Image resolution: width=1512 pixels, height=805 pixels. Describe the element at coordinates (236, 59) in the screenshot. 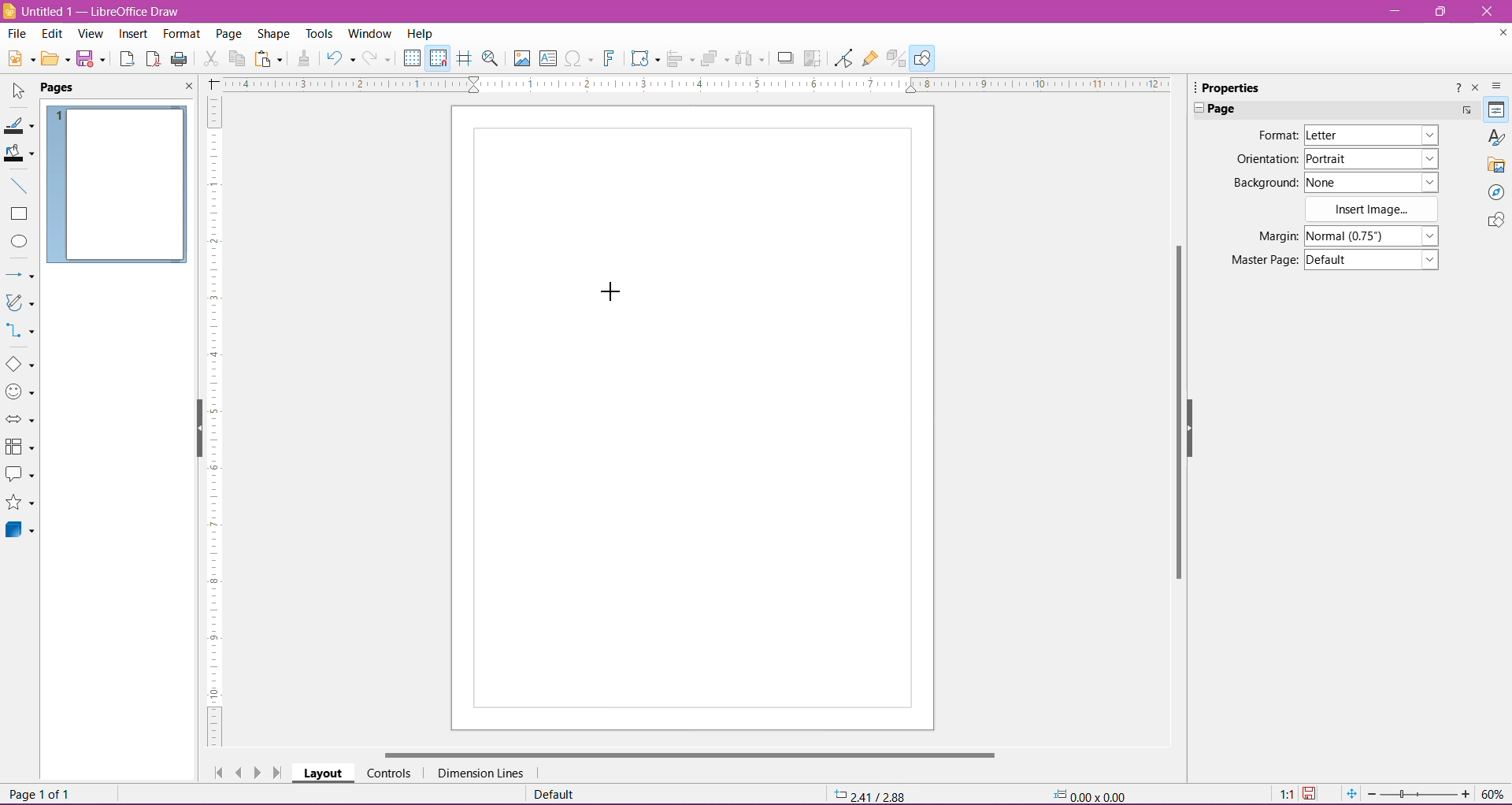

I see `Copy` at that location.